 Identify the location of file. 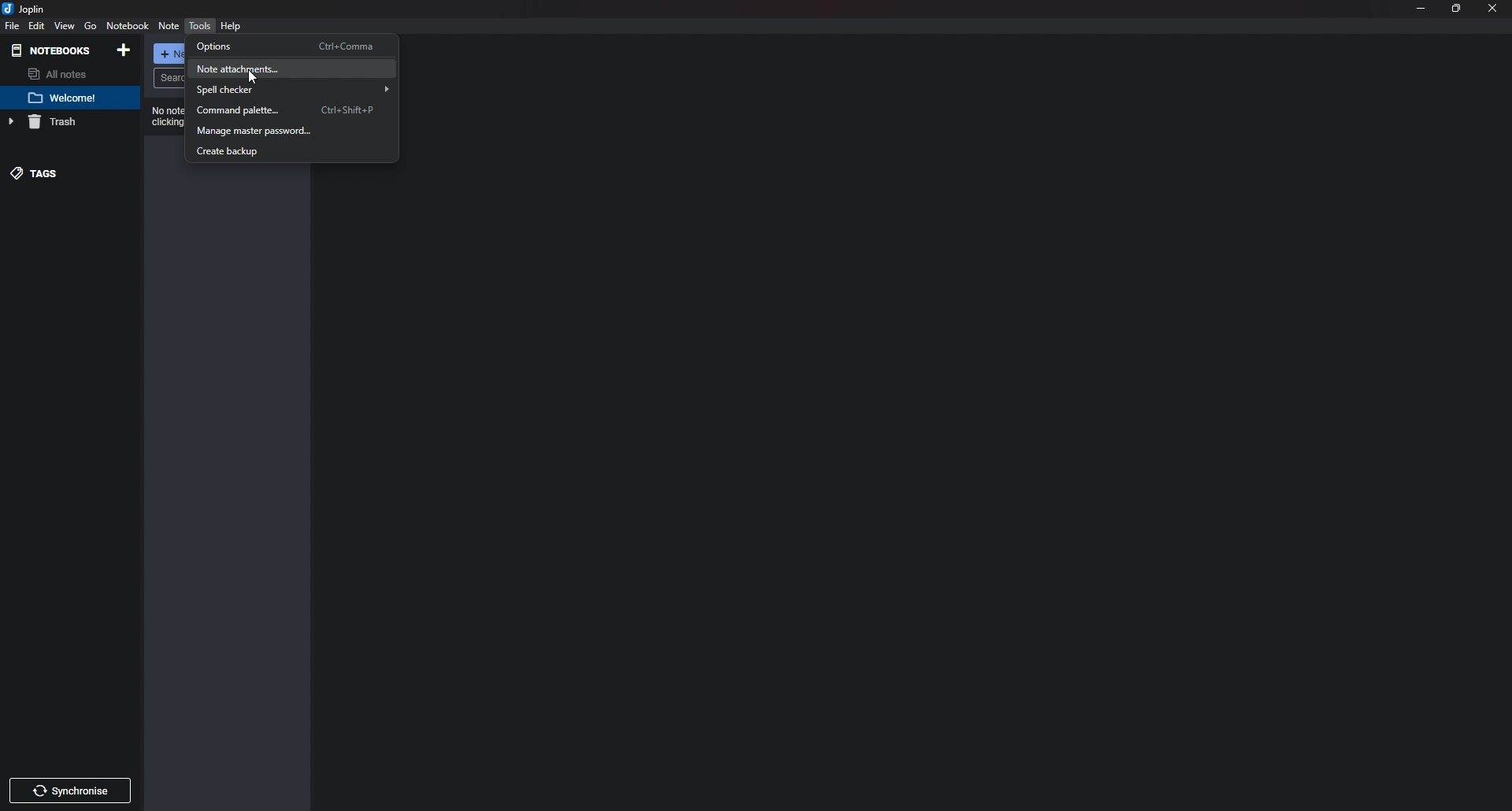
(11, 27).